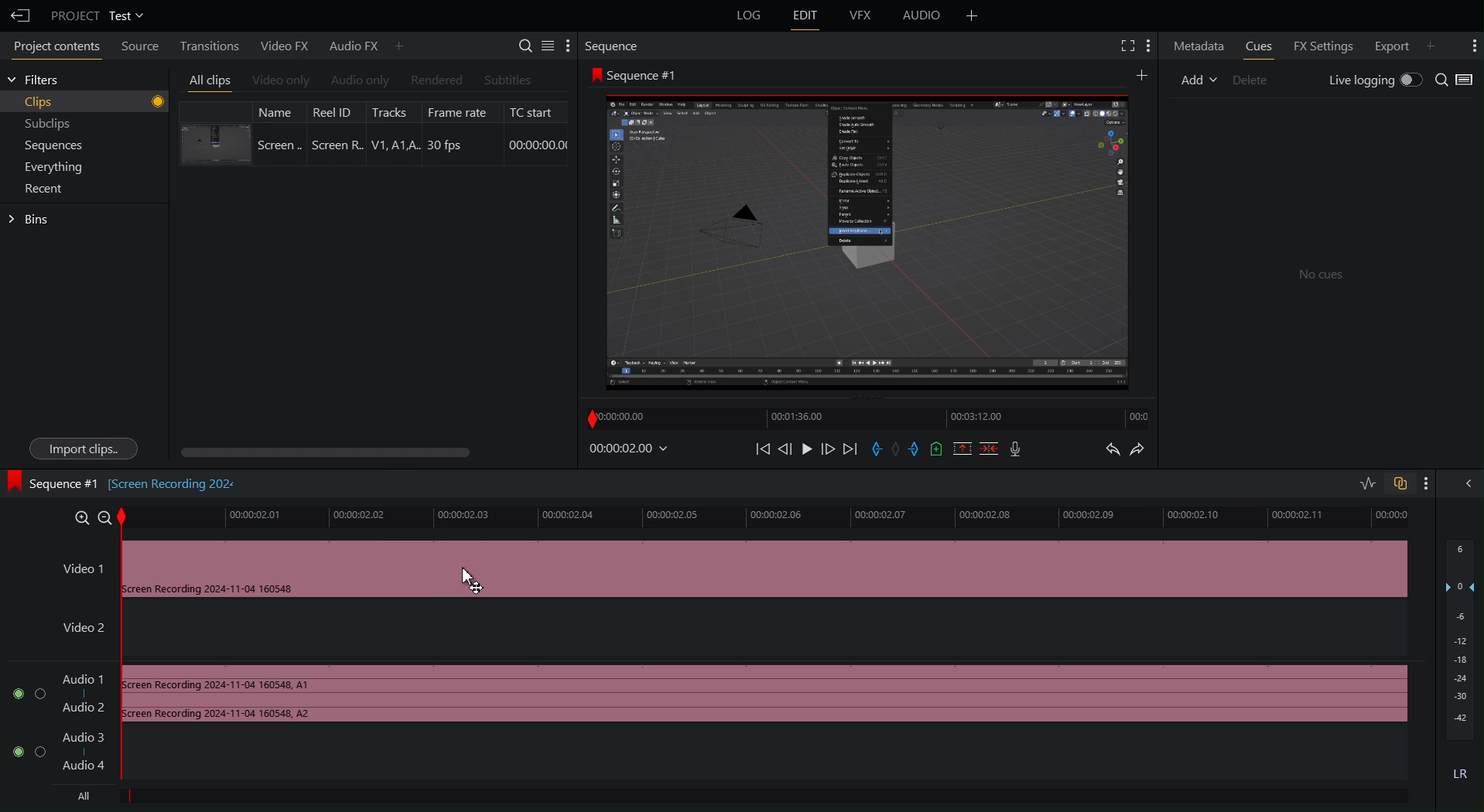  Describe the element at coordinates (970, 16) in the screenshot. I see `Add` at that location.